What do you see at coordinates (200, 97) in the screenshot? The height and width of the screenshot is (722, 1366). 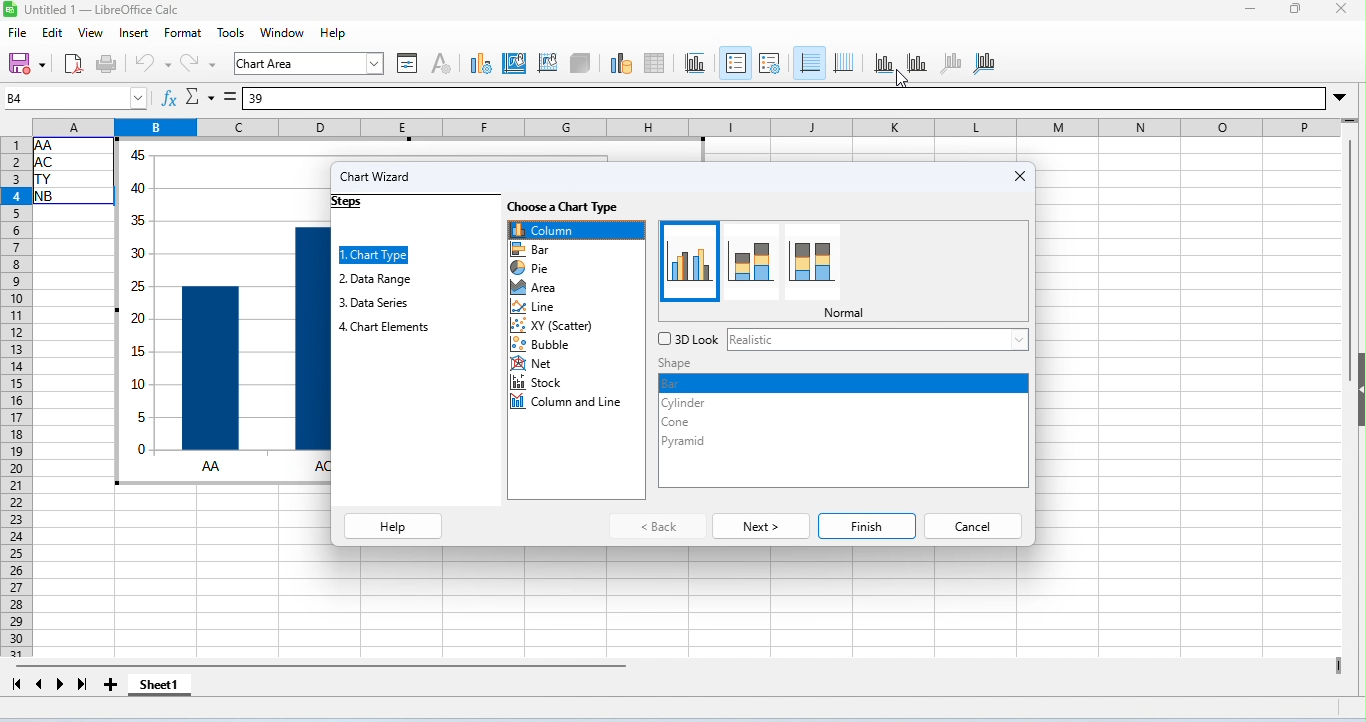 I see `select function` at bounding box center [200, 97].